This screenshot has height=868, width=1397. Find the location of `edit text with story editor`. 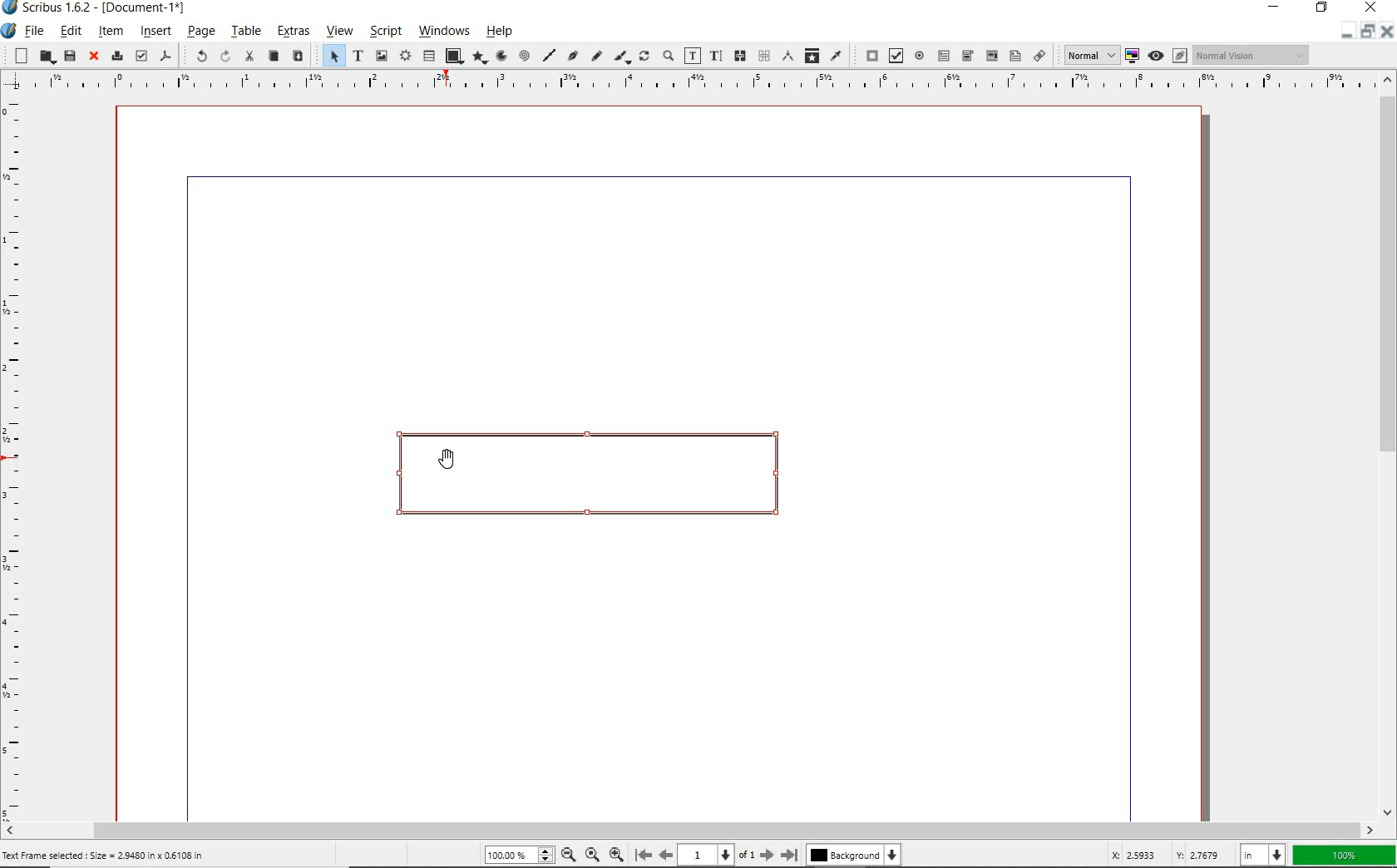

edit text with story editor is located at coordinates (715, 56).